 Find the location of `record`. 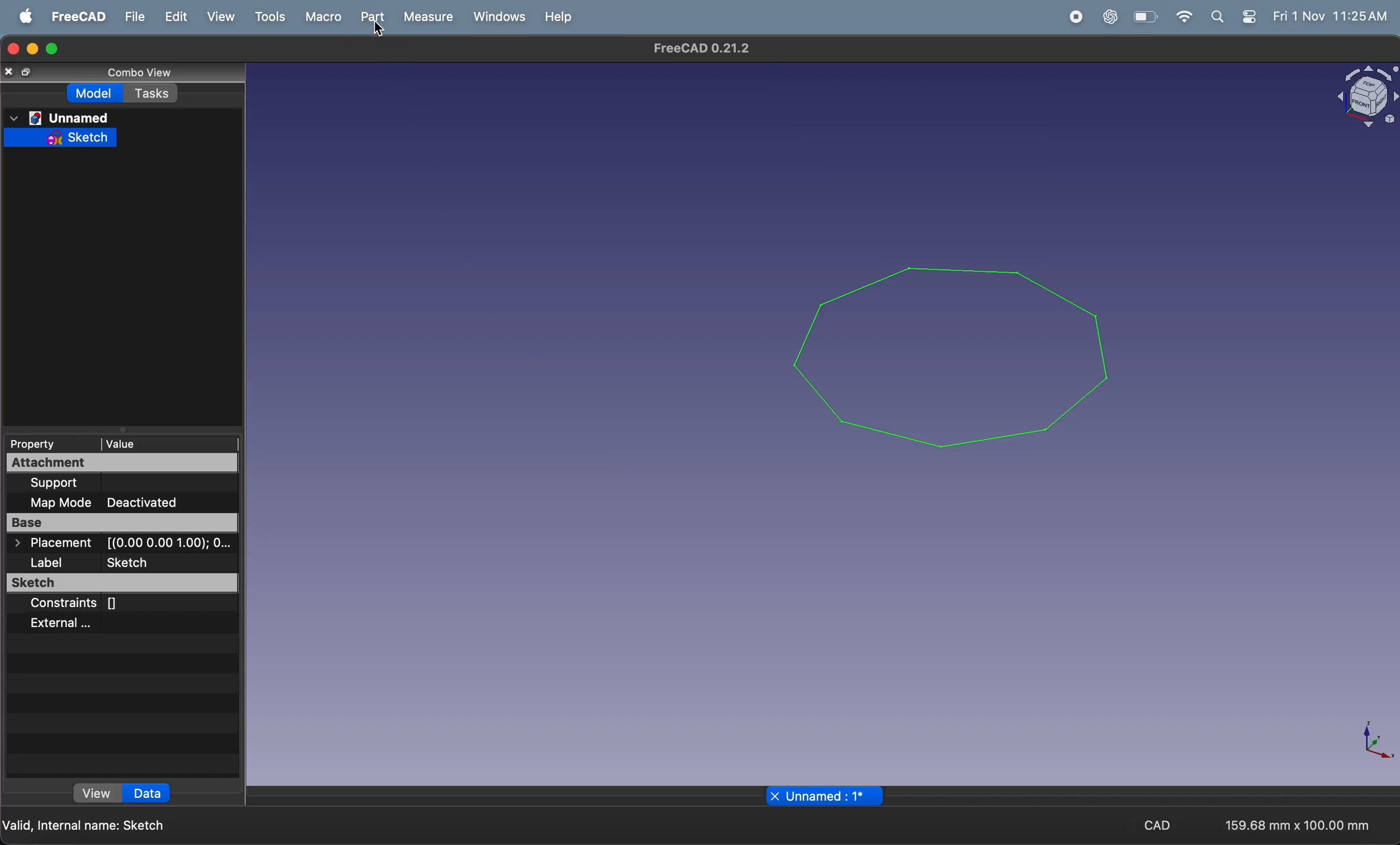

record is located at coordinates (1071, 17).